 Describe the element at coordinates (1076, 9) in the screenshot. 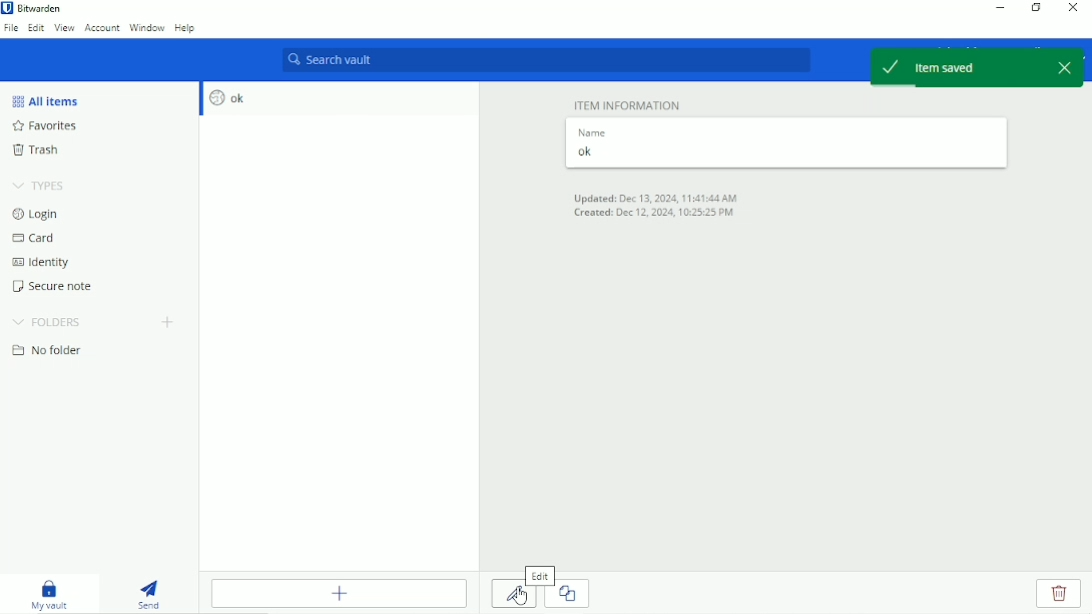

I see `Close` at that location.